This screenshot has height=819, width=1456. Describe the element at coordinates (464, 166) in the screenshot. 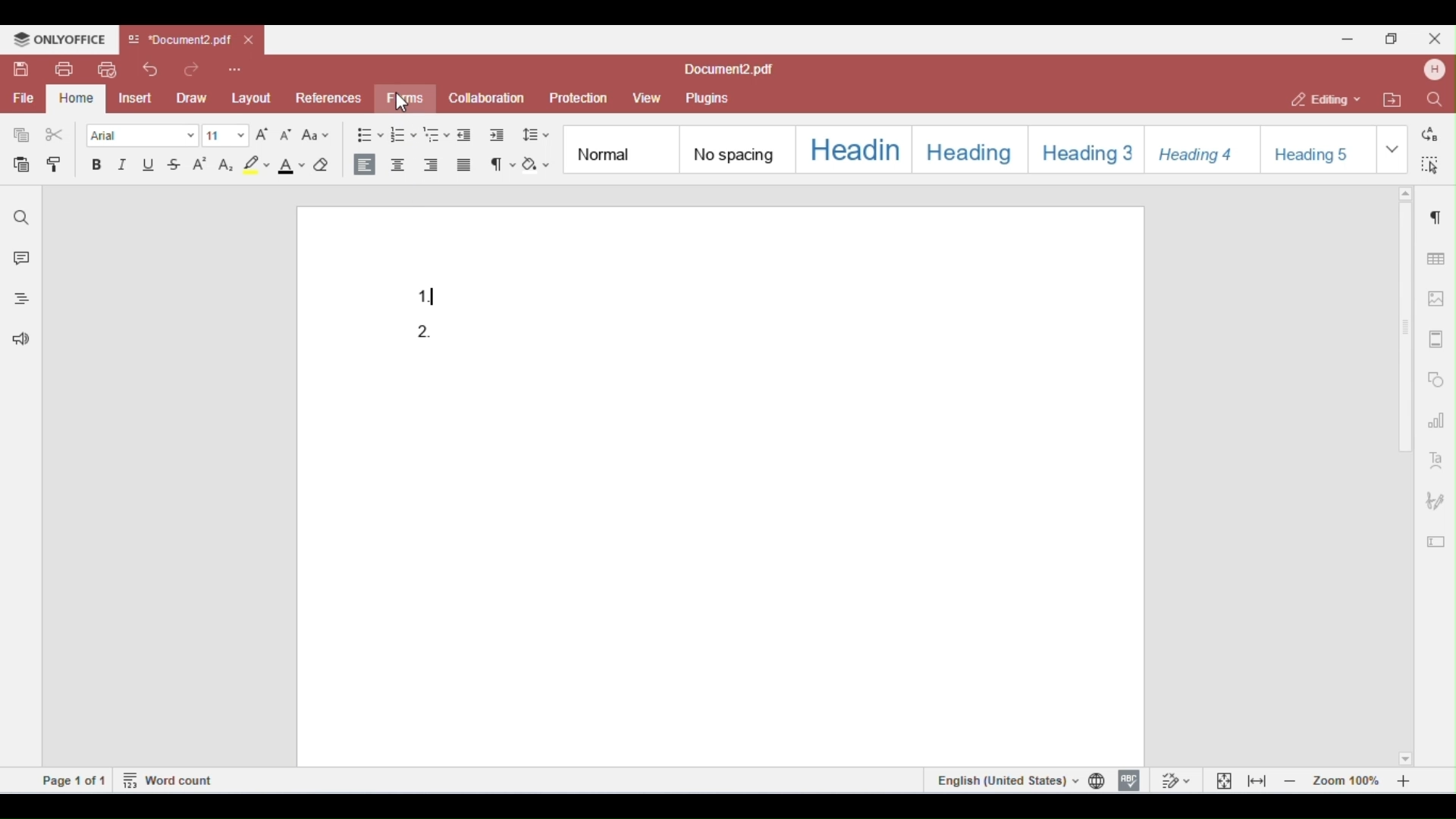

I see `justified` at that location.